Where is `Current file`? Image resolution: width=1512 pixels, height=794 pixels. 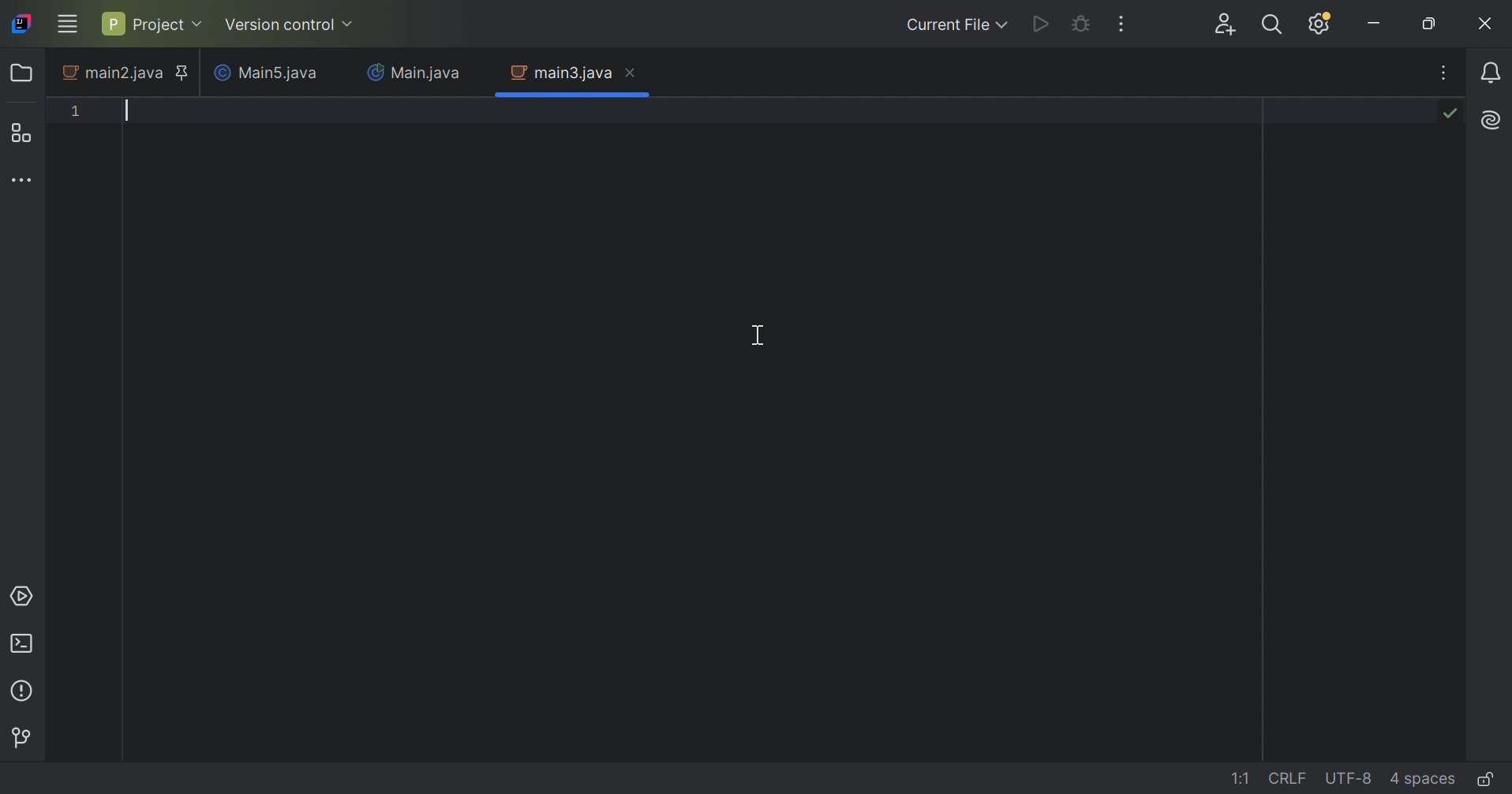 Current file is located at coordinates (957, 24).